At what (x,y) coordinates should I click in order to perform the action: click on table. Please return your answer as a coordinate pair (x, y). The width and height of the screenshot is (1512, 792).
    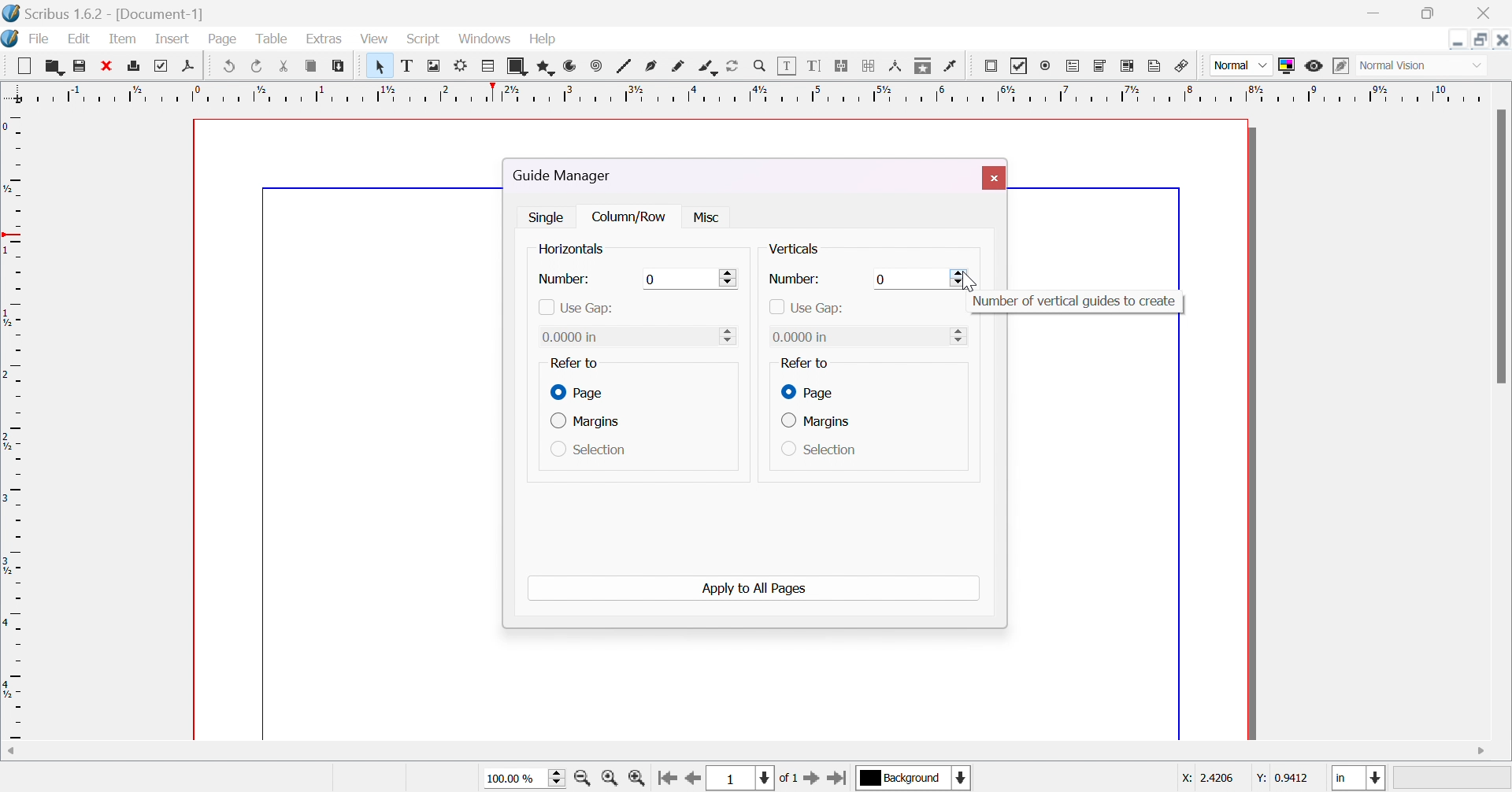
    Looking at the image, I should click on (275, 40).